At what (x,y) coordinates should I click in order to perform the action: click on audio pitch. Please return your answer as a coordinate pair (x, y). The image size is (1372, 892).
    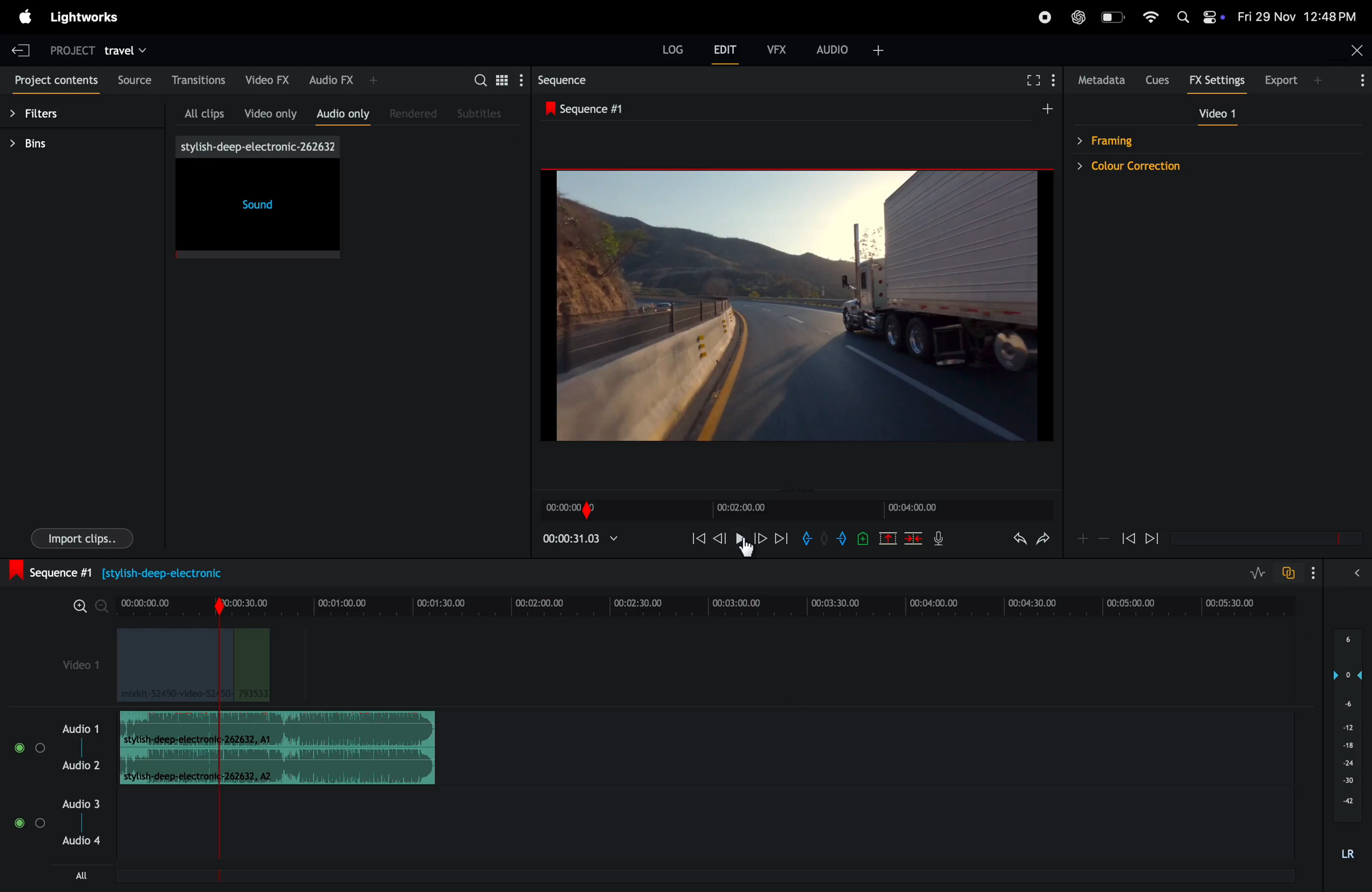
    Looking at the image, I should click on (1344, 747).